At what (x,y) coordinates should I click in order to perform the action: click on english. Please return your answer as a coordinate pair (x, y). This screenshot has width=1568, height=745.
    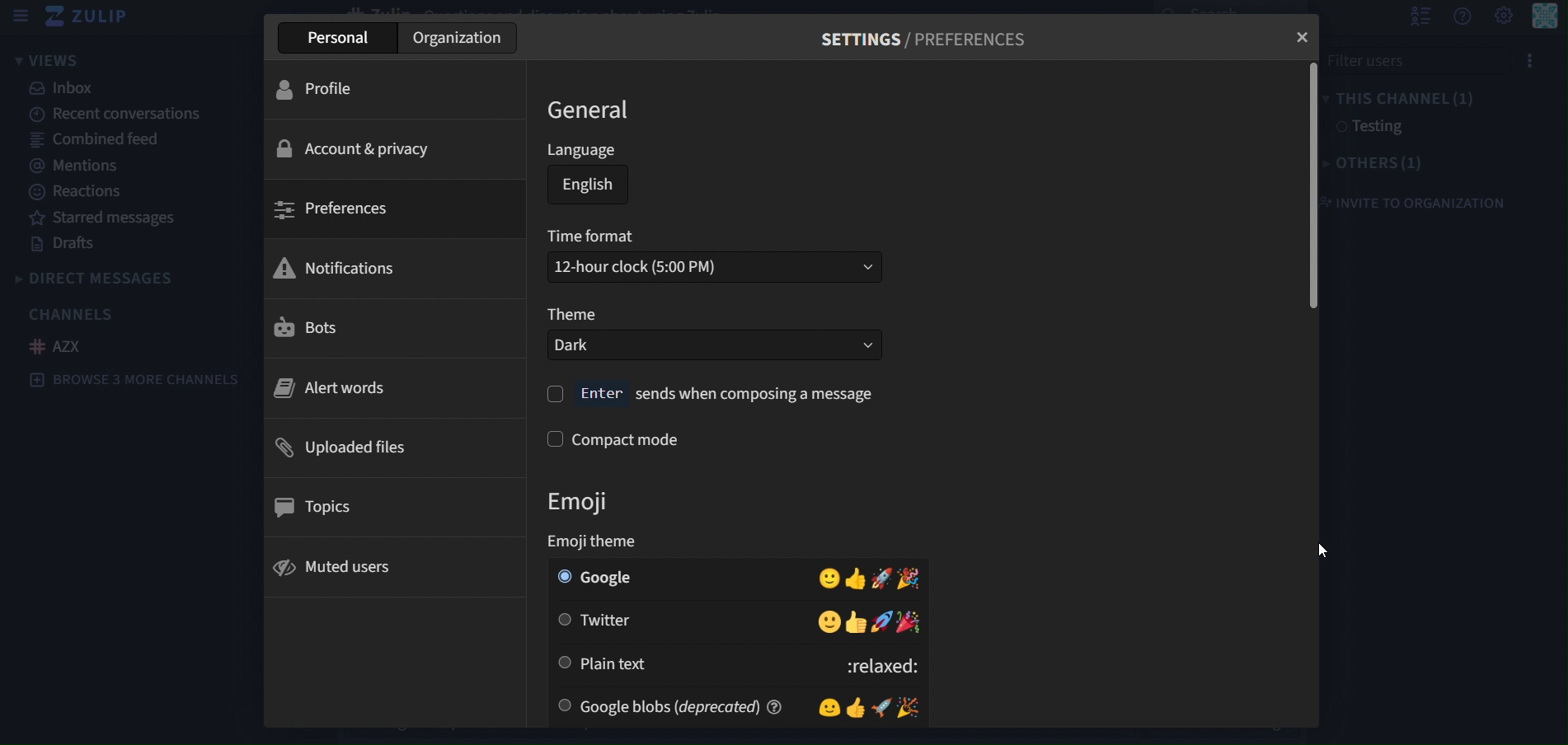
    Looking at the image, I should click on (588, 184).